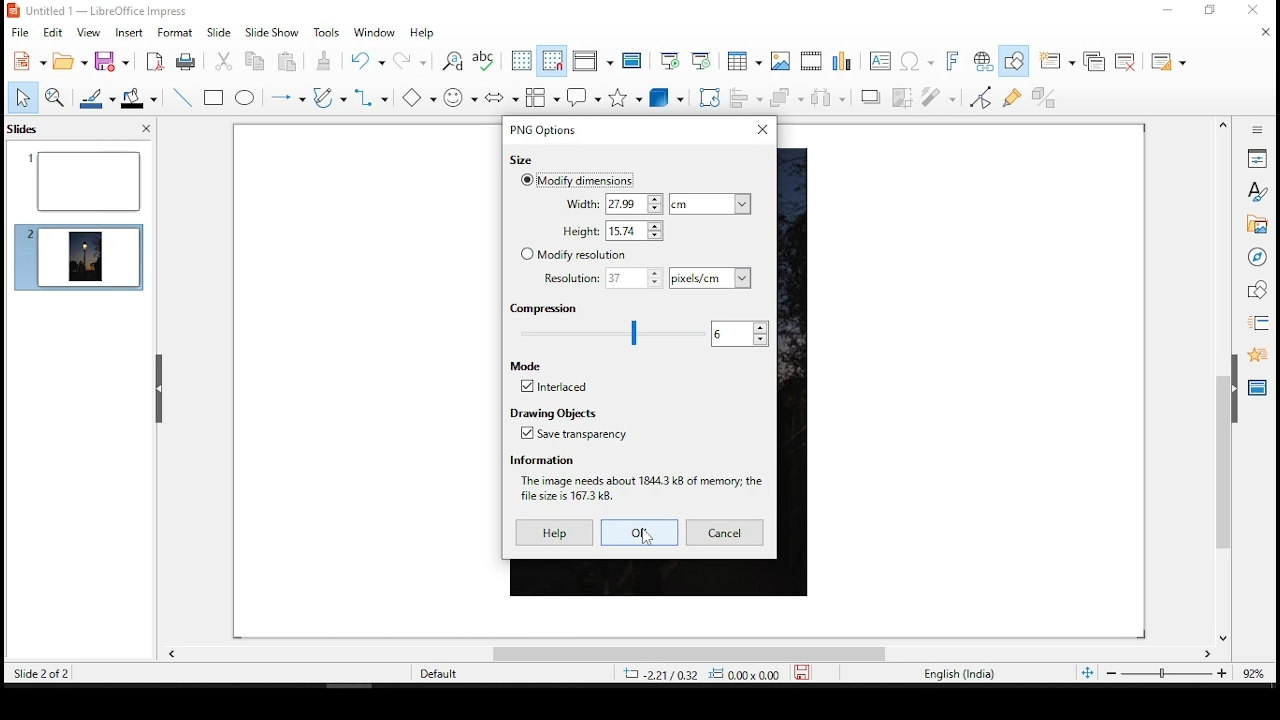 Image resolution: width=1280 pixels, height=720 pixels. Describe the element at coordinates (1059, 60) in the screenshot. I see `new slide` at that location.